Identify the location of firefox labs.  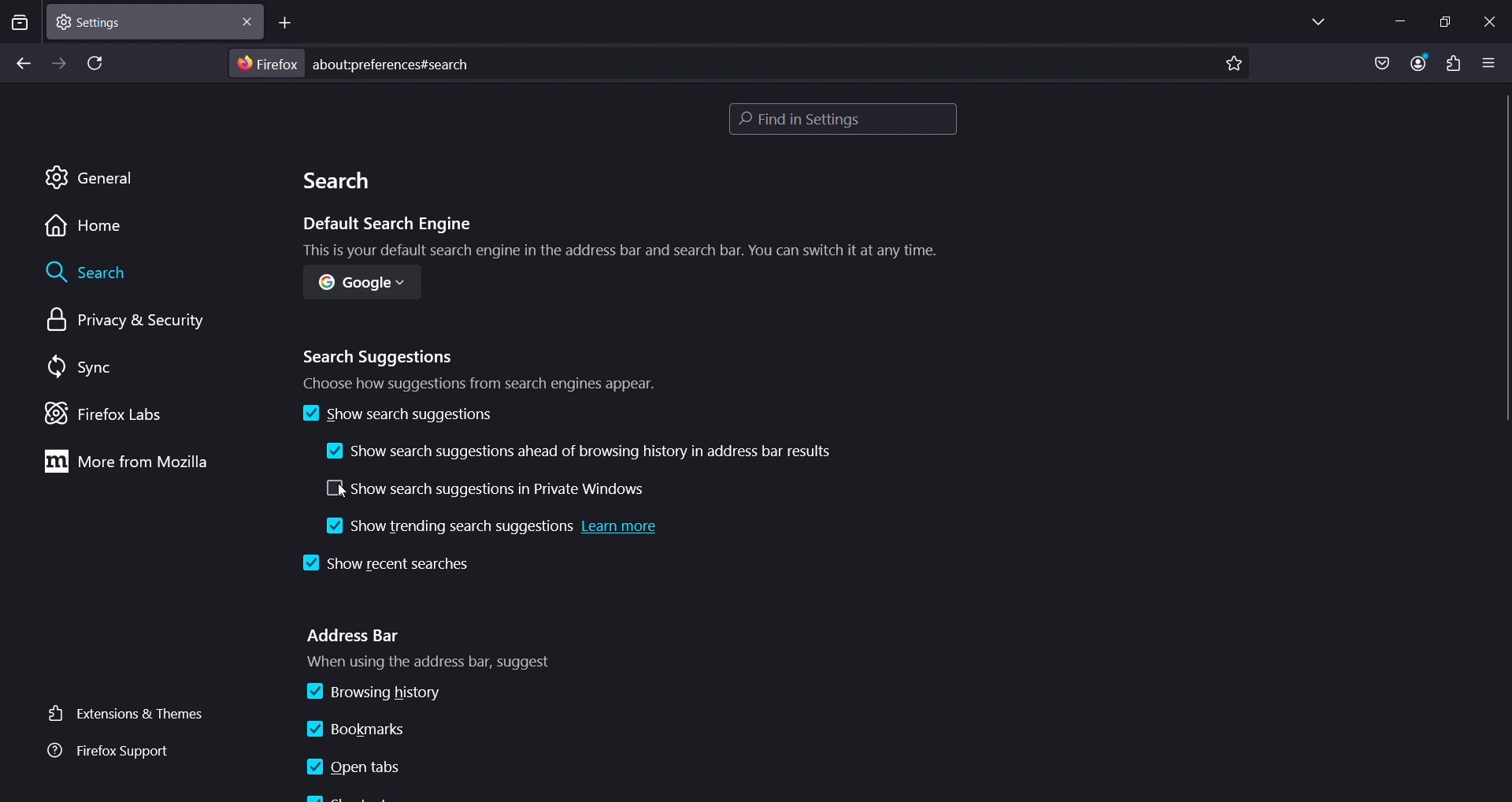
(106, 412).